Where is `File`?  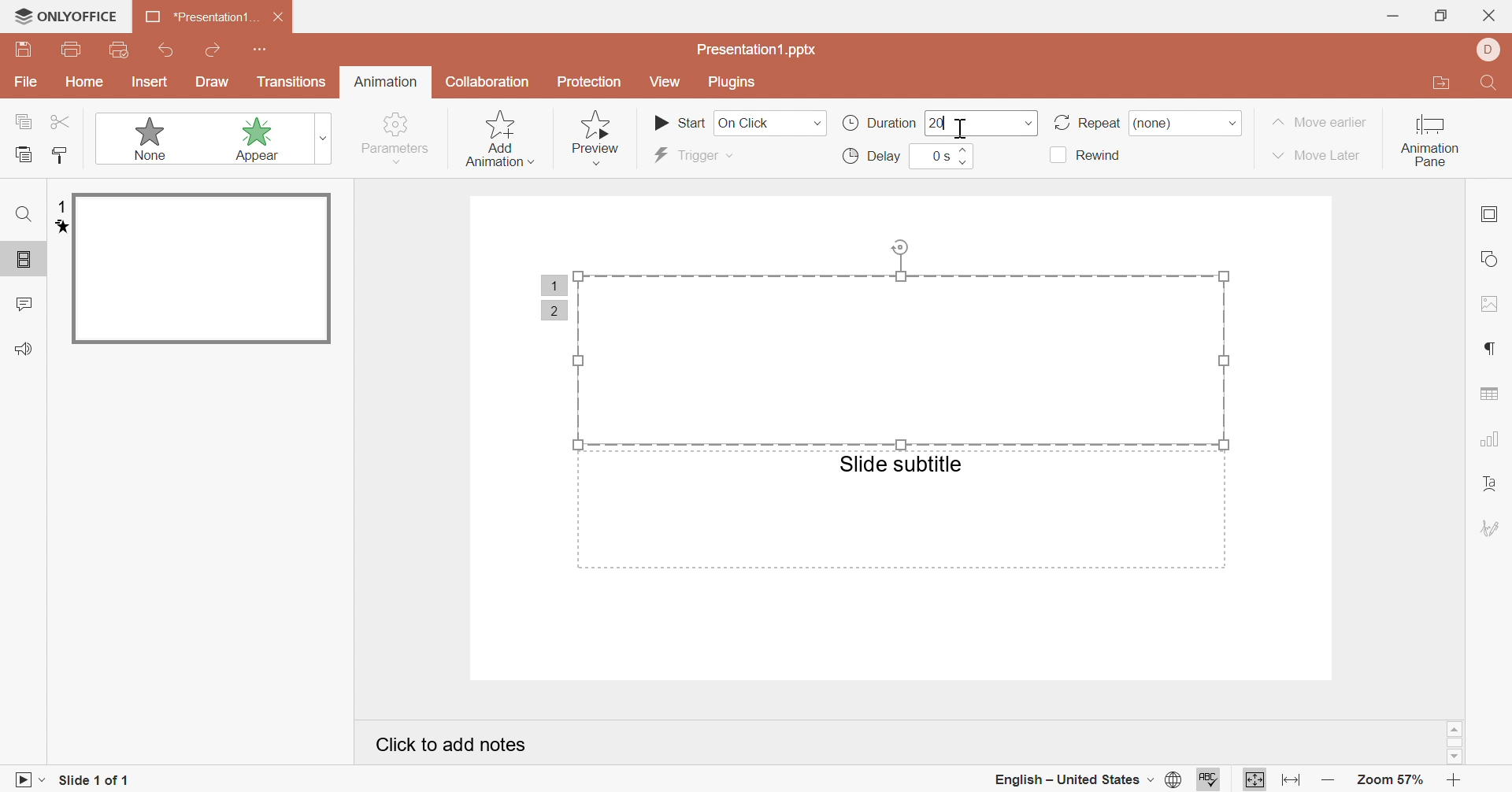
File is located at coordinates (27, 82).